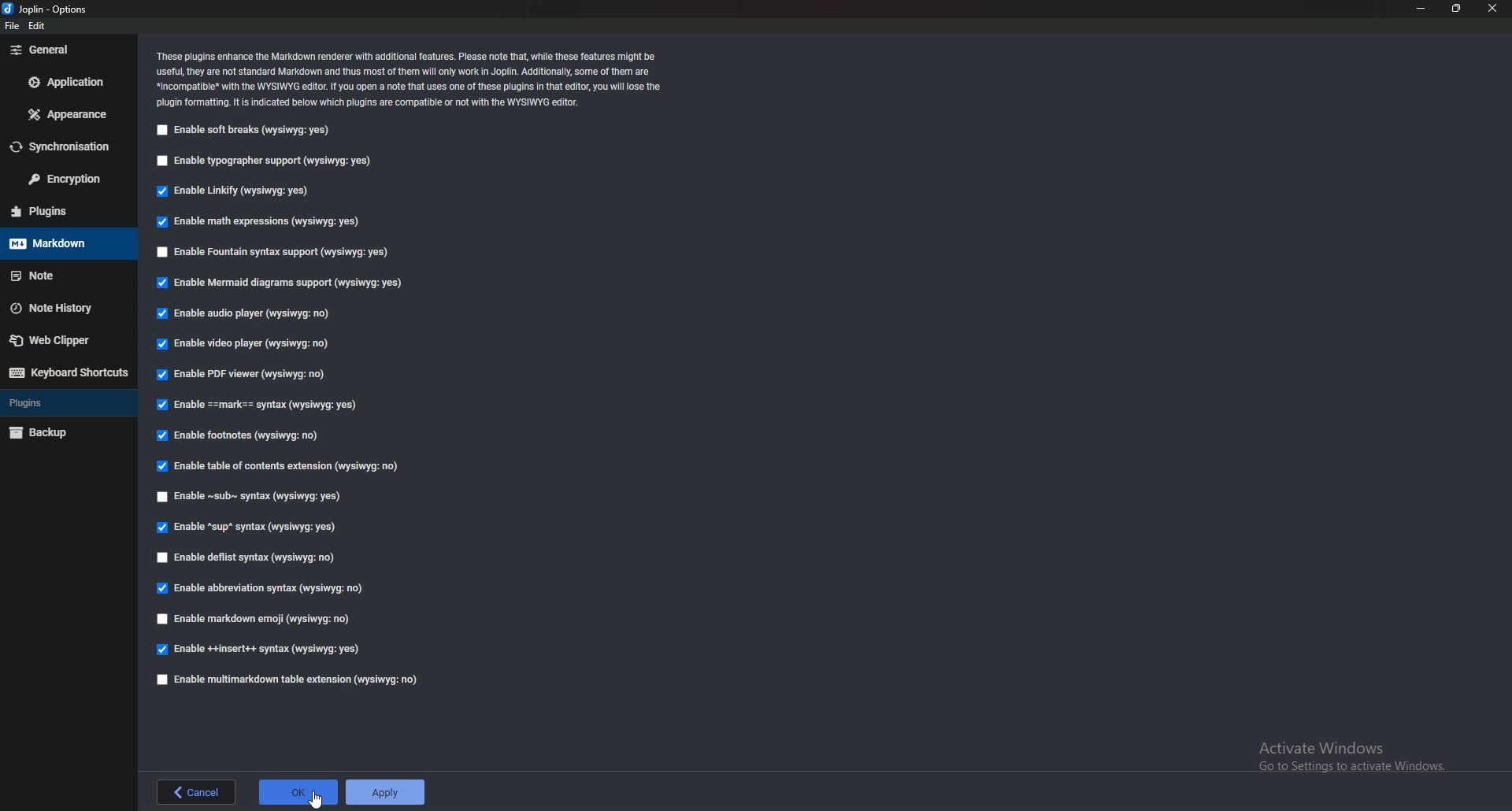 The image size is (1512, 811). Describe the element at coordinates (1455, 9) in the screenshot. I see `resize` at that location.